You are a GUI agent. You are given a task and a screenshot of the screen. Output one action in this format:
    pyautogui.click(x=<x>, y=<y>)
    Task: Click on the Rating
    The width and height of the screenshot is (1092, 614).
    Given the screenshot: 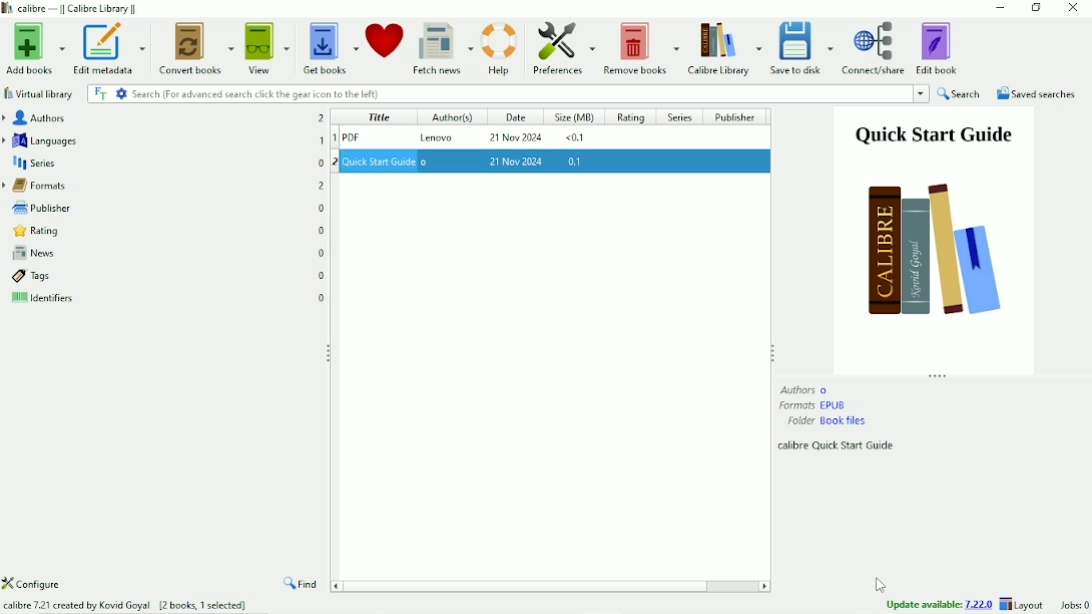 What is the action you would take?
    pyautogui.click(x=164, y=230)
    